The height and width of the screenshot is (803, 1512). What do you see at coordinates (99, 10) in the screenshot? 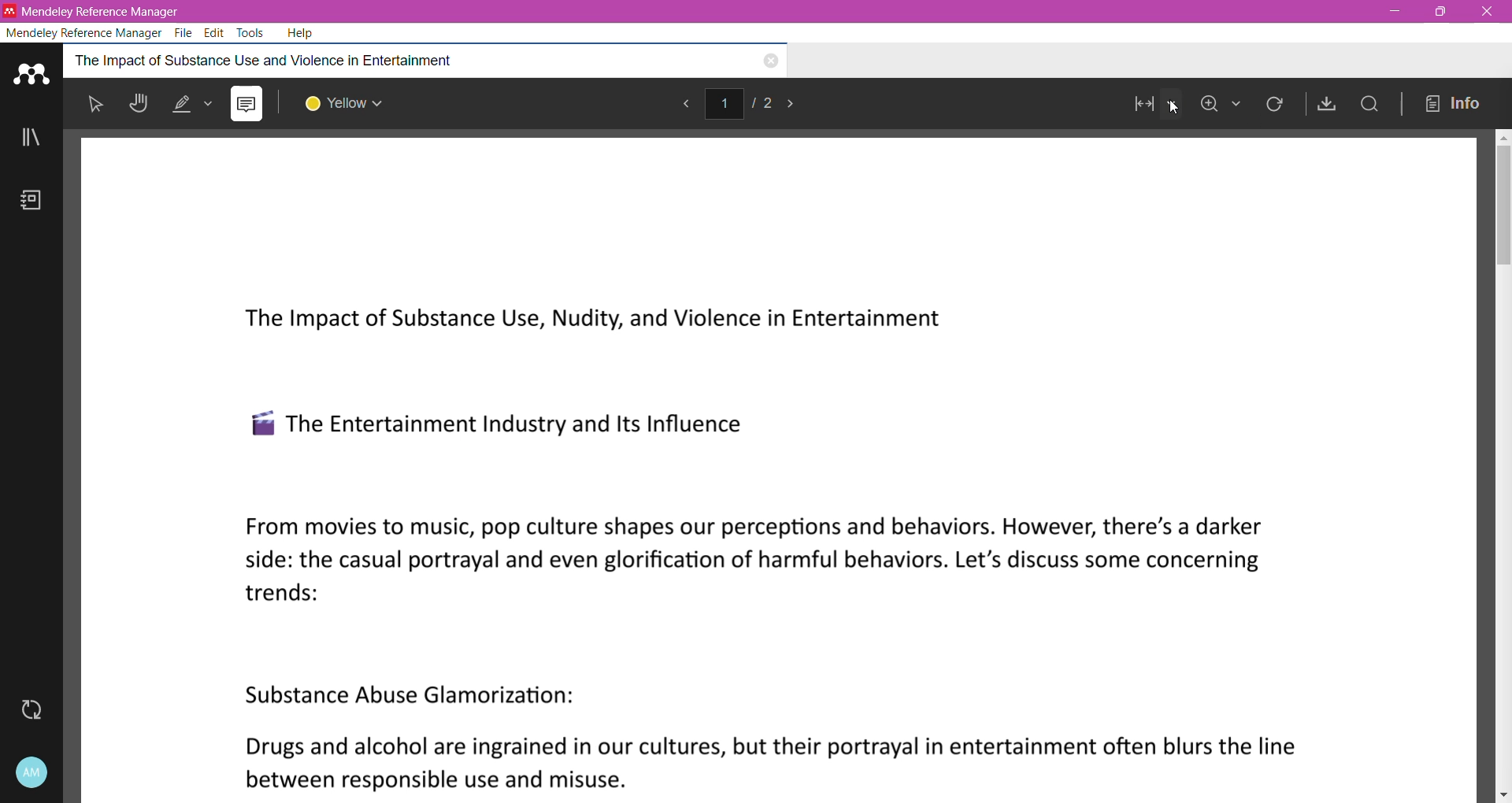
I see `Application Name` at bounding box center [99, 10].